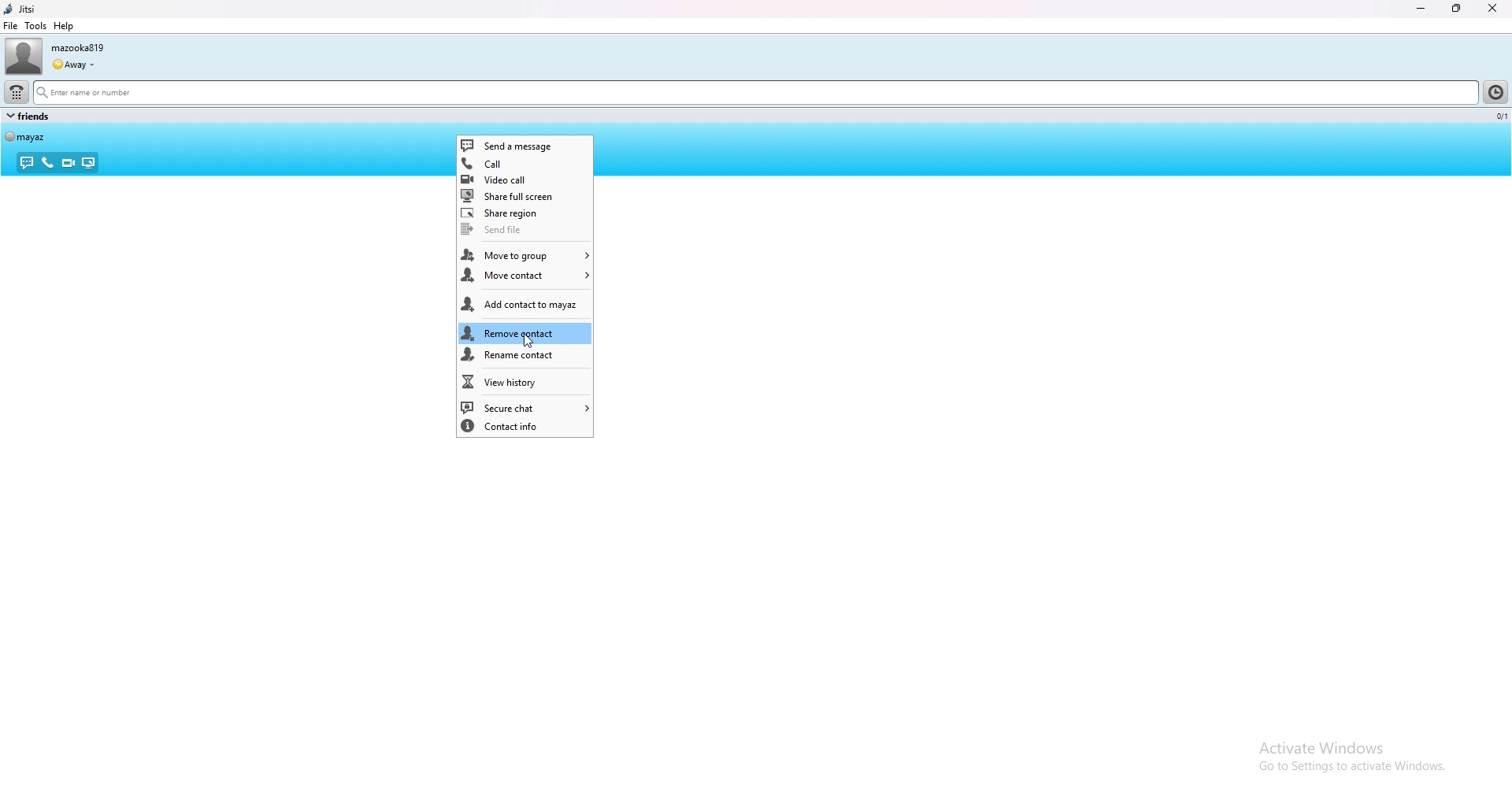 The image size is (1512, 811). What do you see at coordinates (524, 162) in the screenshot?
I see `call` at bounding box center [524, 162].